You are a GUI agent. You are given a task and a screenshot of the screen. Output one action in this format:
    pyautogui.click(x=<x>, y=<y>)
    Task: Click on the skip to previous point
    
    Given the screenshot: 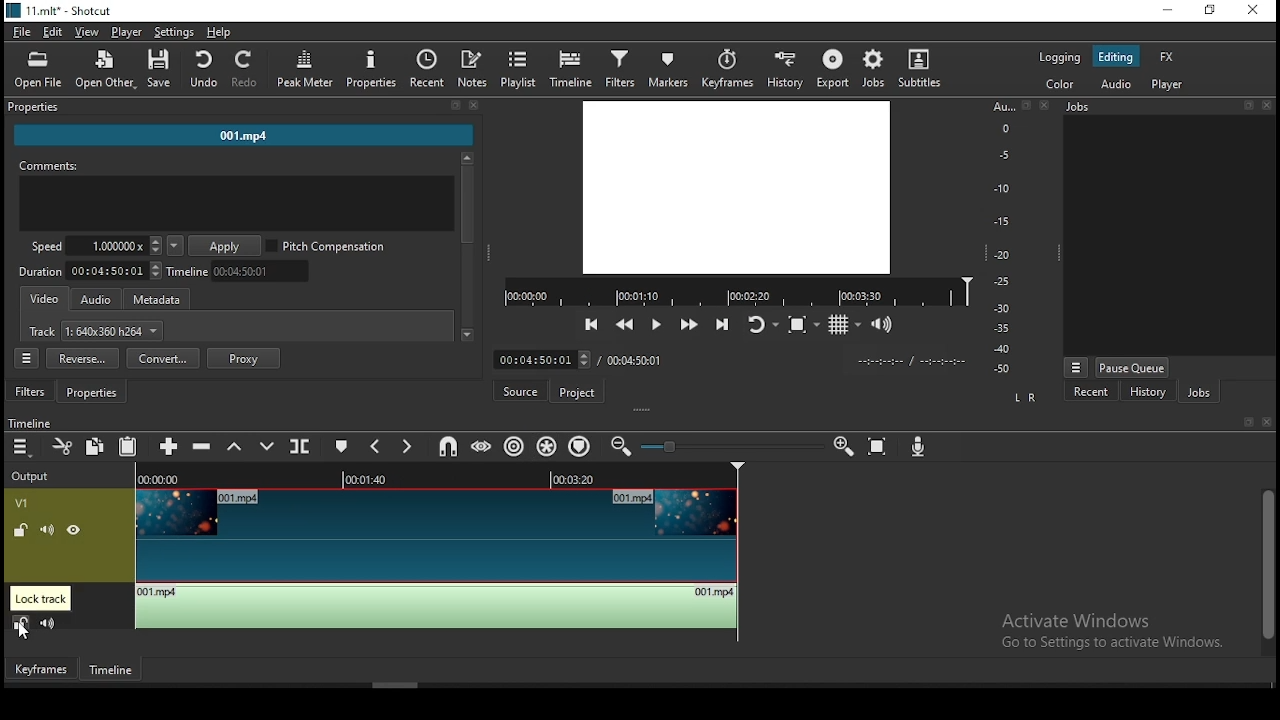 What is the action you would take?
    pyautogui.click(x=589, y=323)
    